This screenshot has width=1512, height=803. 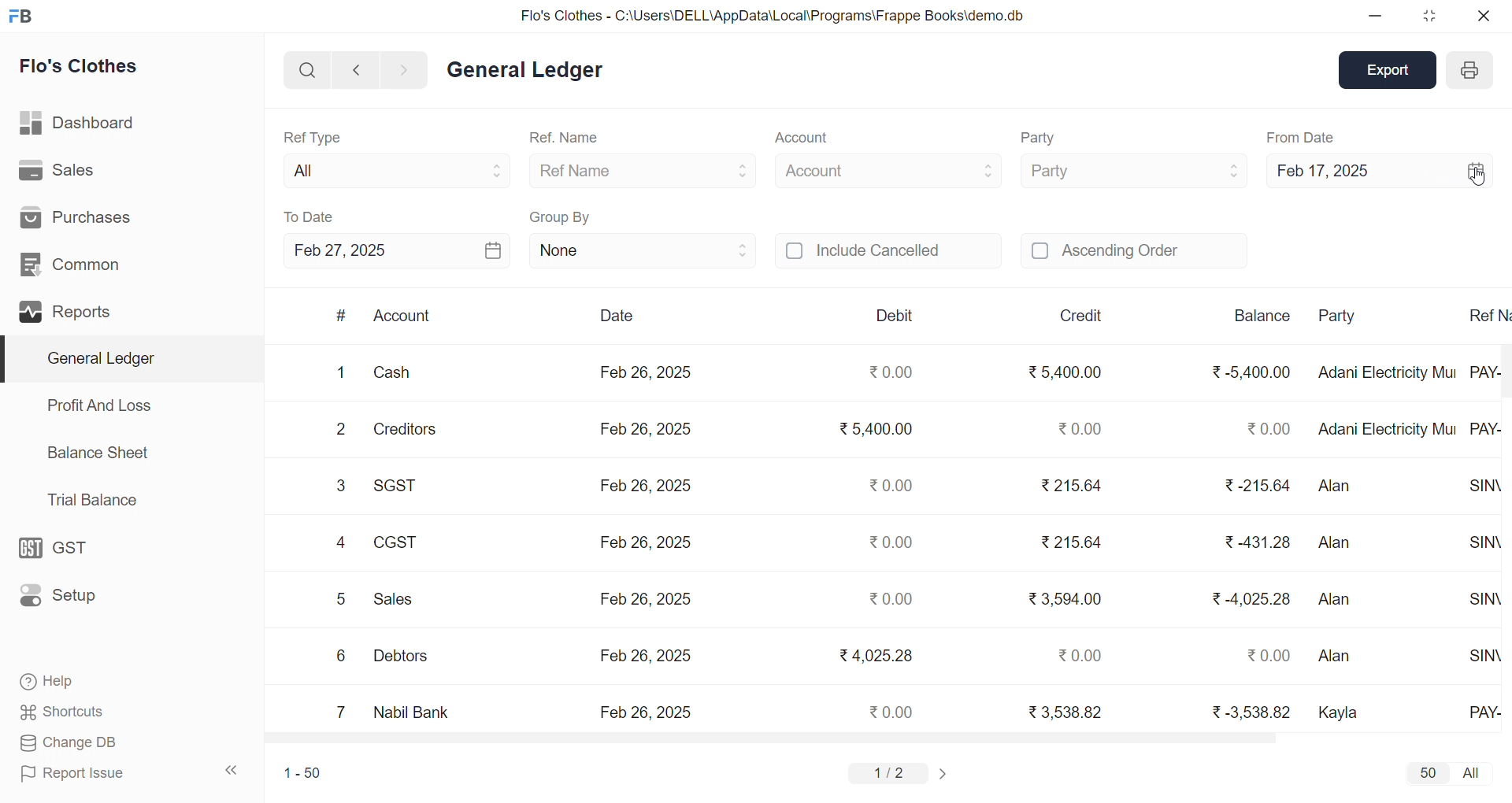 What do you see at coordinates (644, 170) in the screenshot?
I see `Ref Name` at bounding box center [644, 170].